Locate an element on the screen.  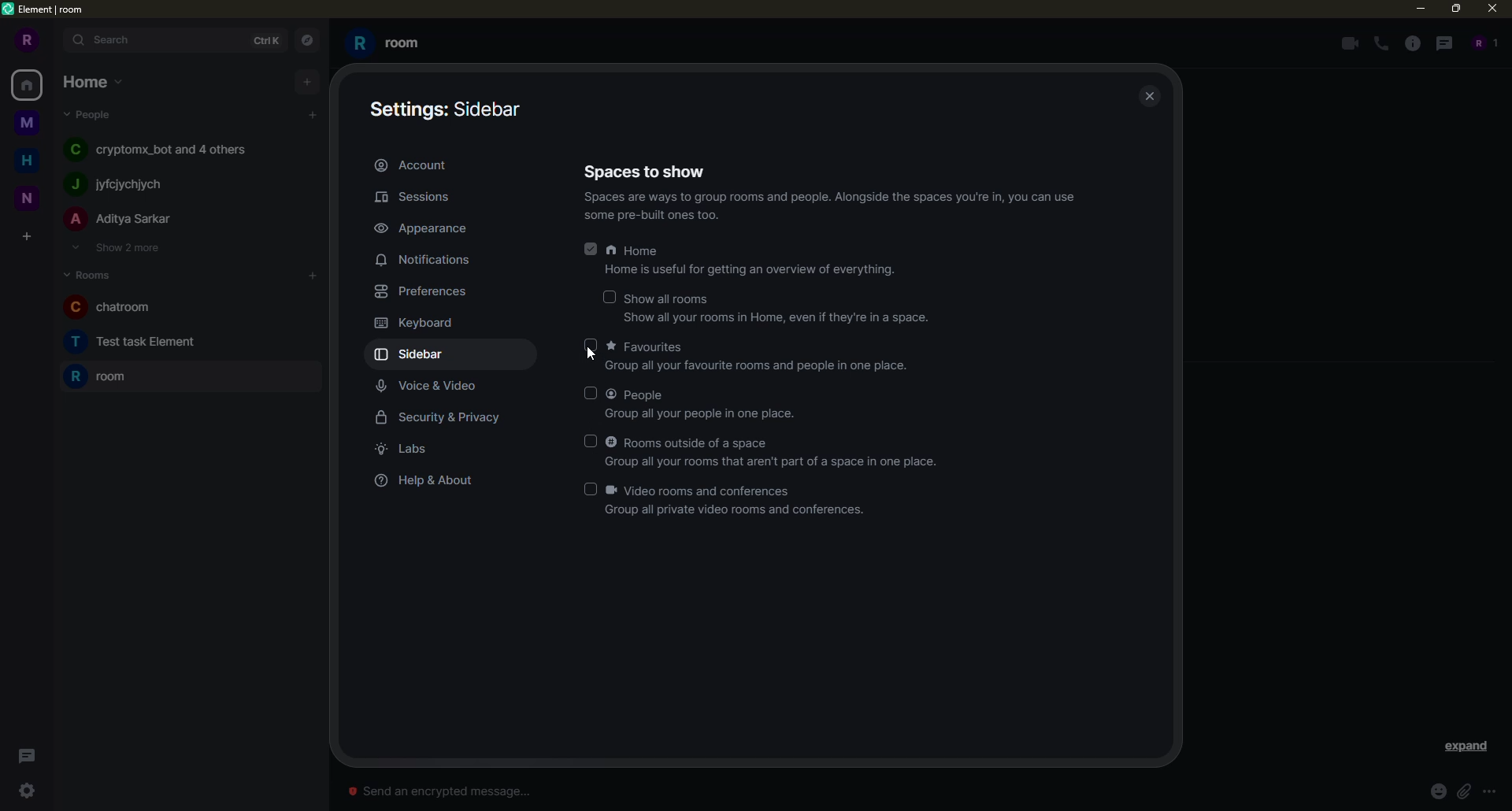
security & privacy is located at coordinates (441, 417).